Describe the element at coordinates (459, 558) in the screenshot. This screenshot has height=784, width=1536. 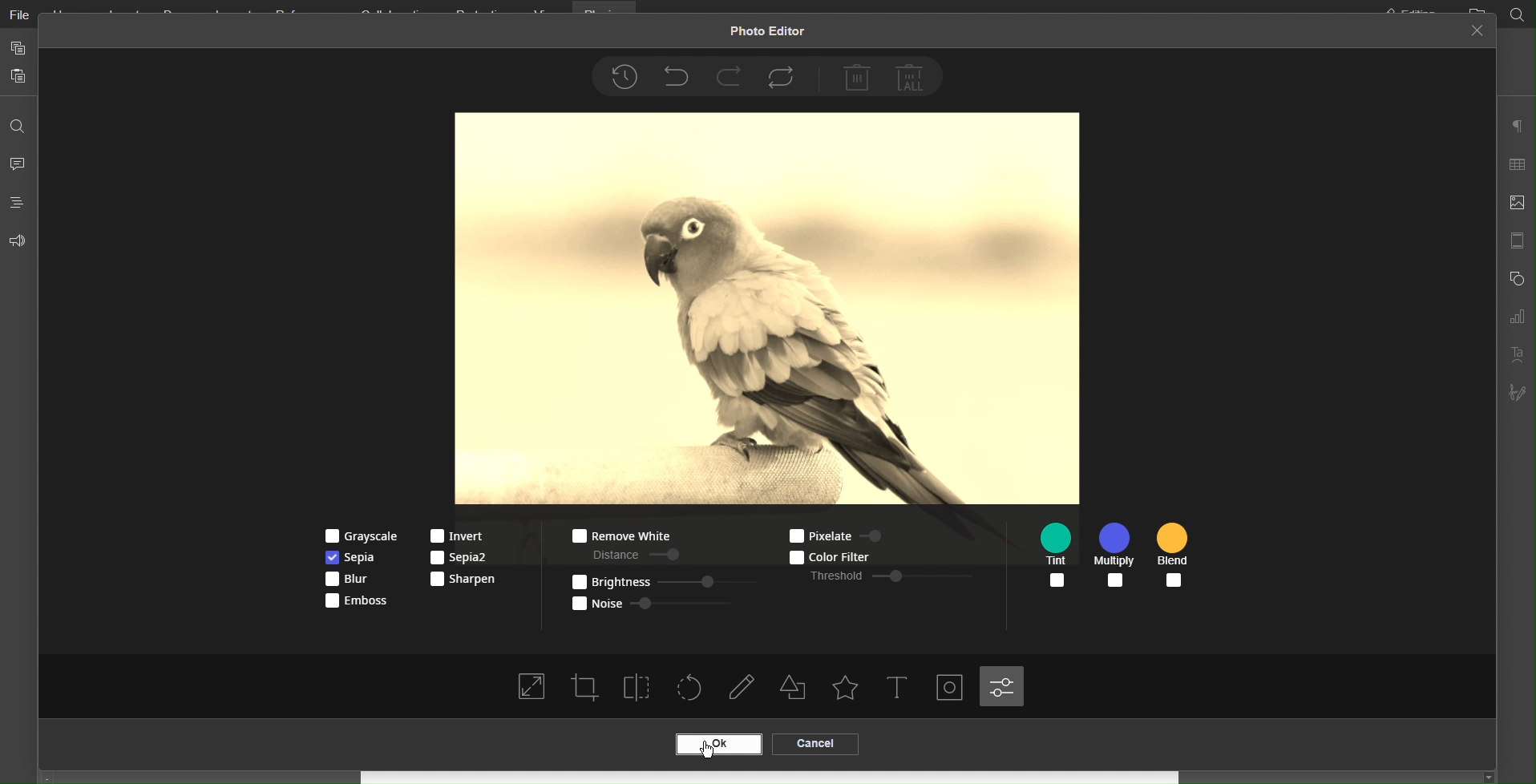
I see `Sepia2` at that location.